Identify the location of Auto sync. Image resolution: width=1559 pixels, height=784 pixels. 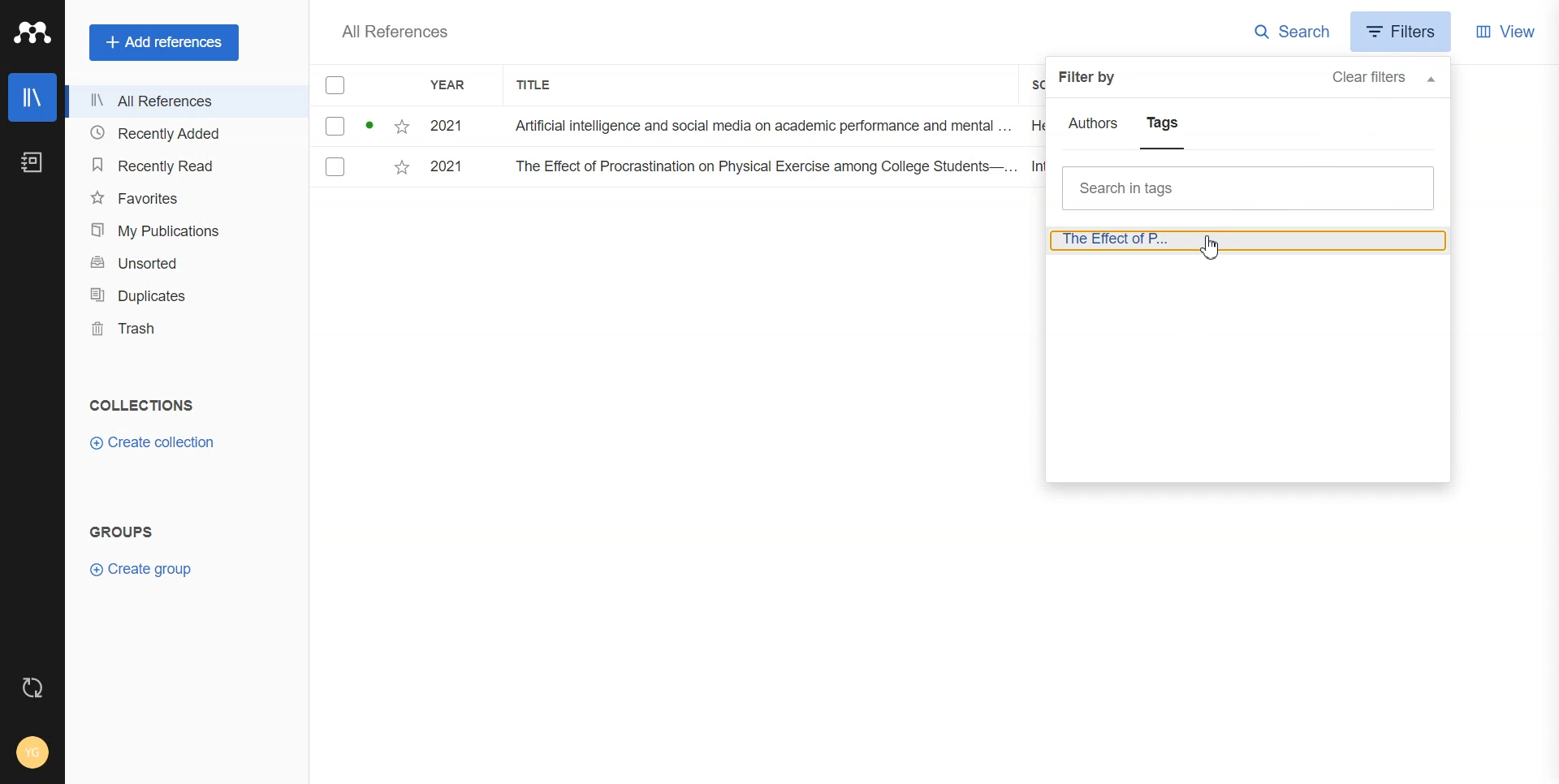
(32, 687).